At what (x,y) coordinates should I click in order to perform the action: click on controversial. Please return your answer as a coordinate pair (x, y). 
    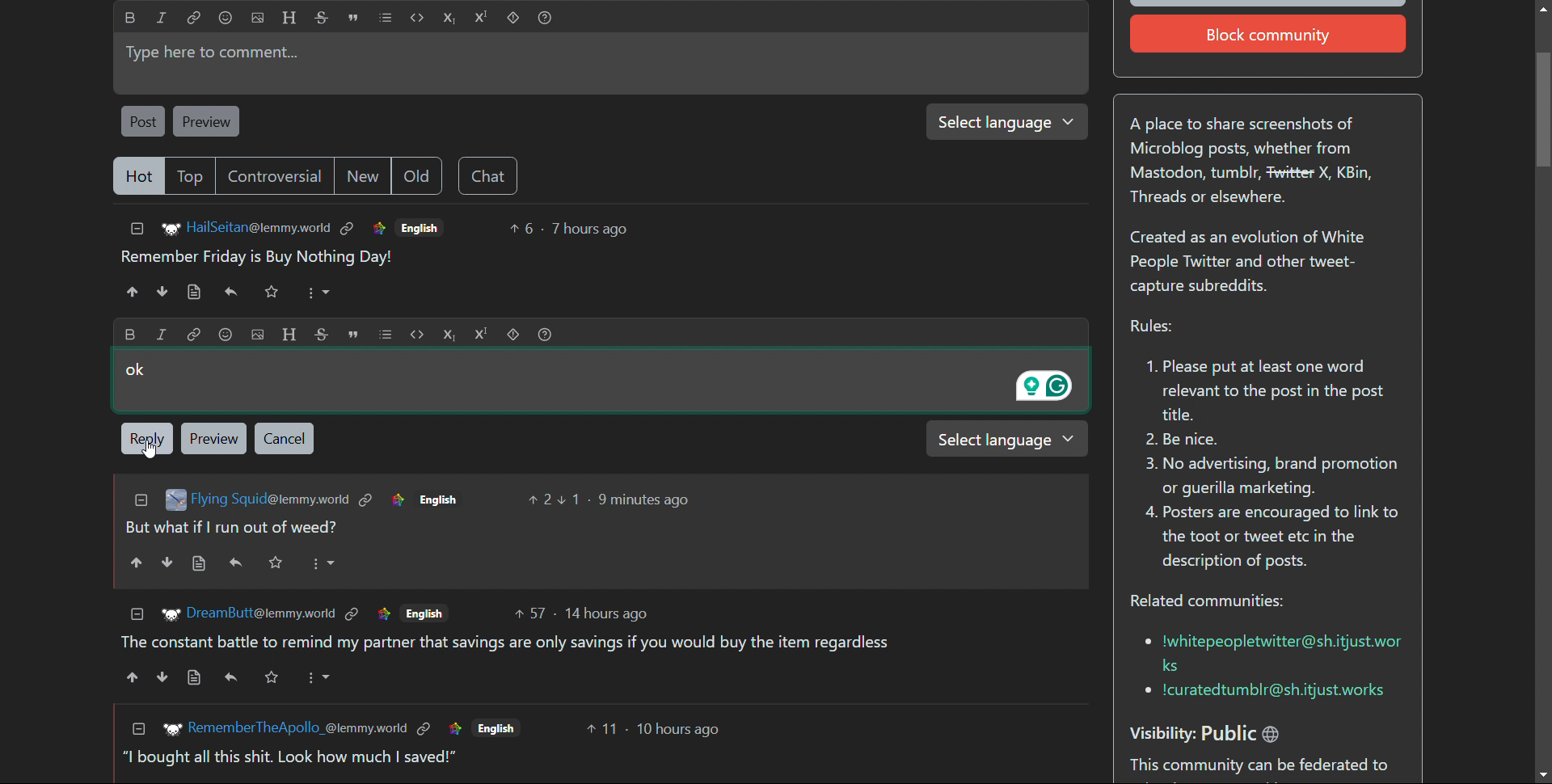
    Looking at the image, I should click on (276, 175).